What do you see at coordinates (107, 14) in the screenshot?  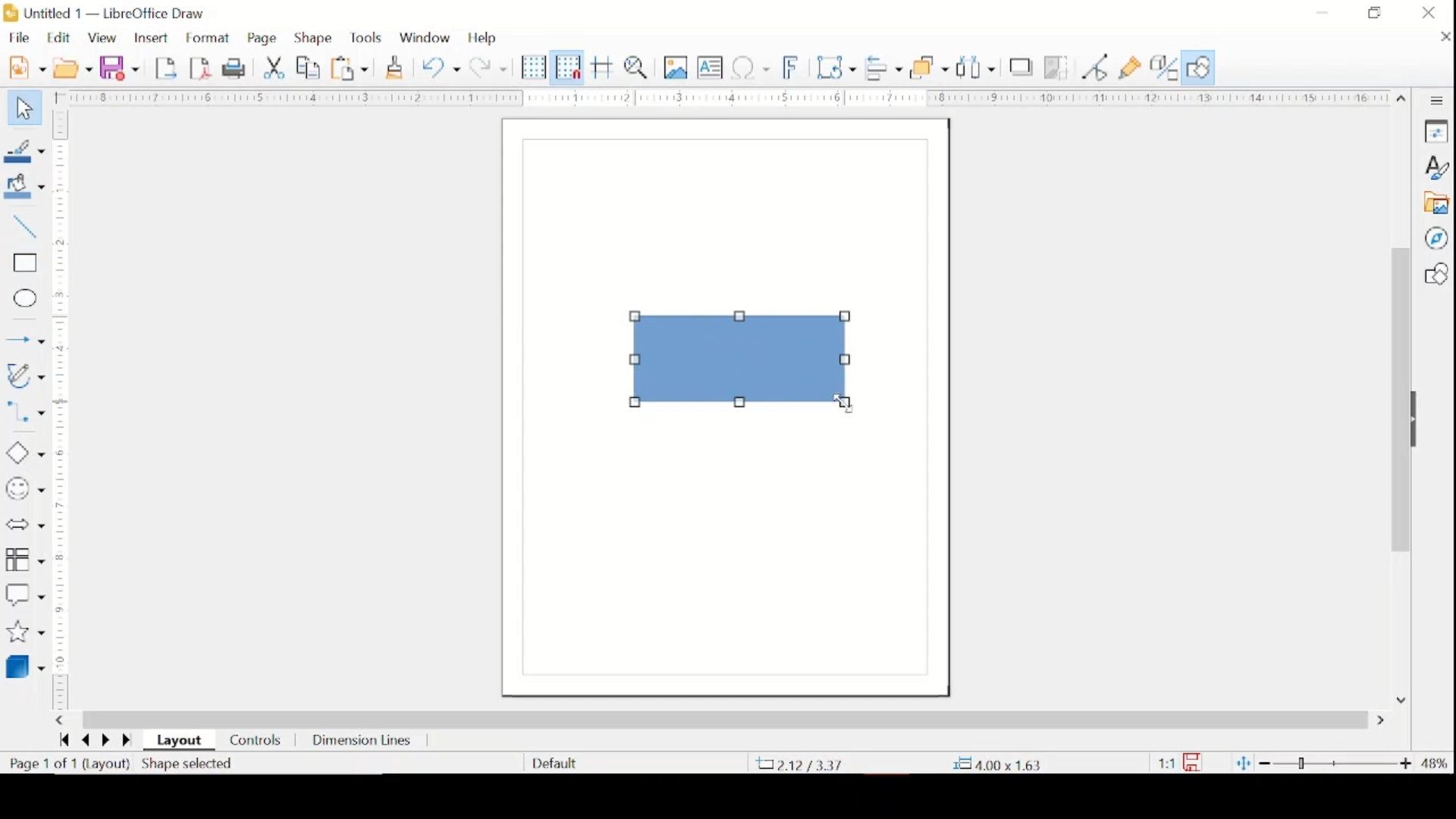 I see `untitled 1 - libreoffice draw` at bounding box center [107, 14].